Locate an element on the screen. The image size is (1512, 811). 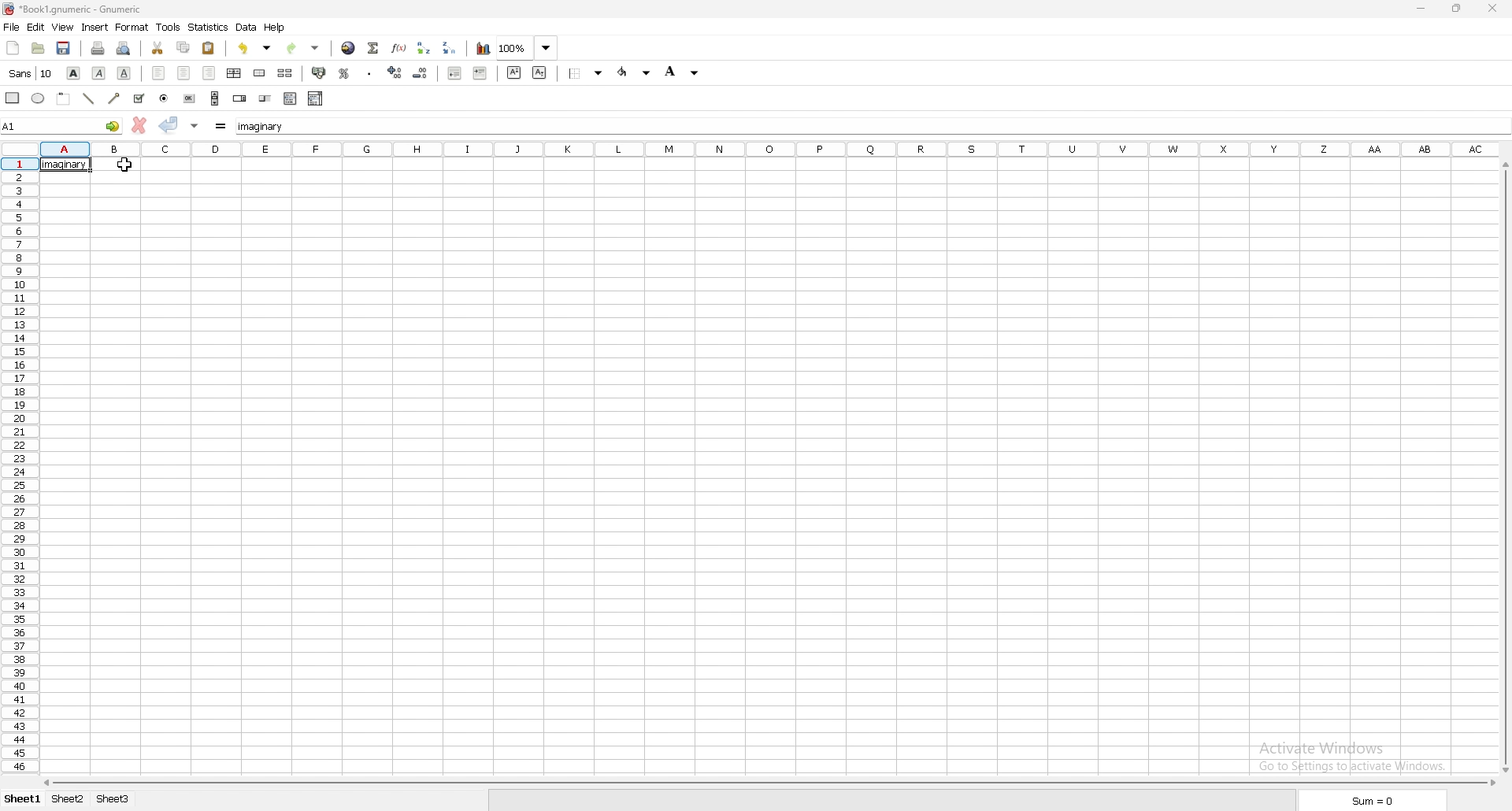
minimize is located at coordinates (1420, 8).